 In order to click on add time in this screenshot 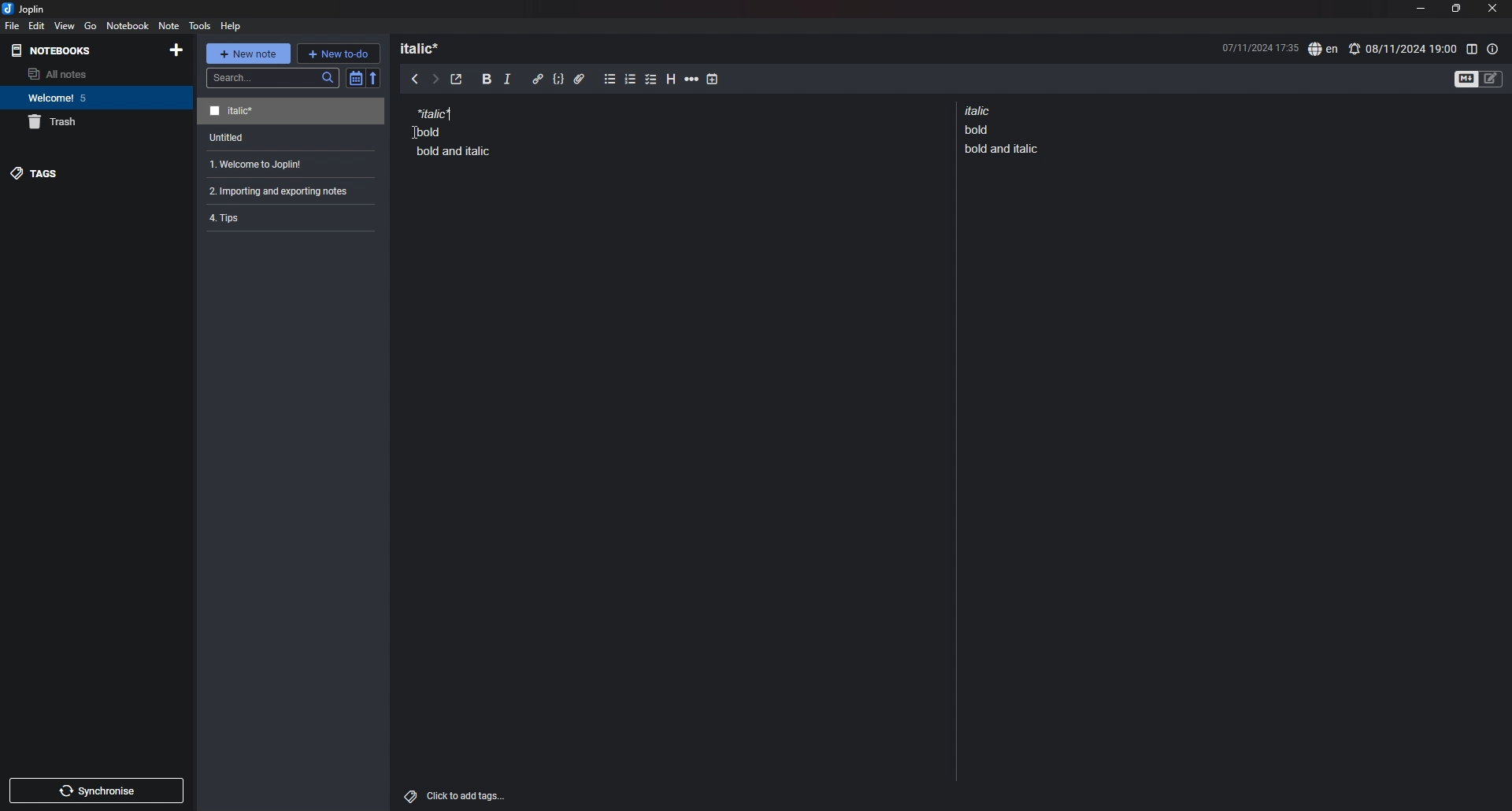, I will do `click(713, 79)`.